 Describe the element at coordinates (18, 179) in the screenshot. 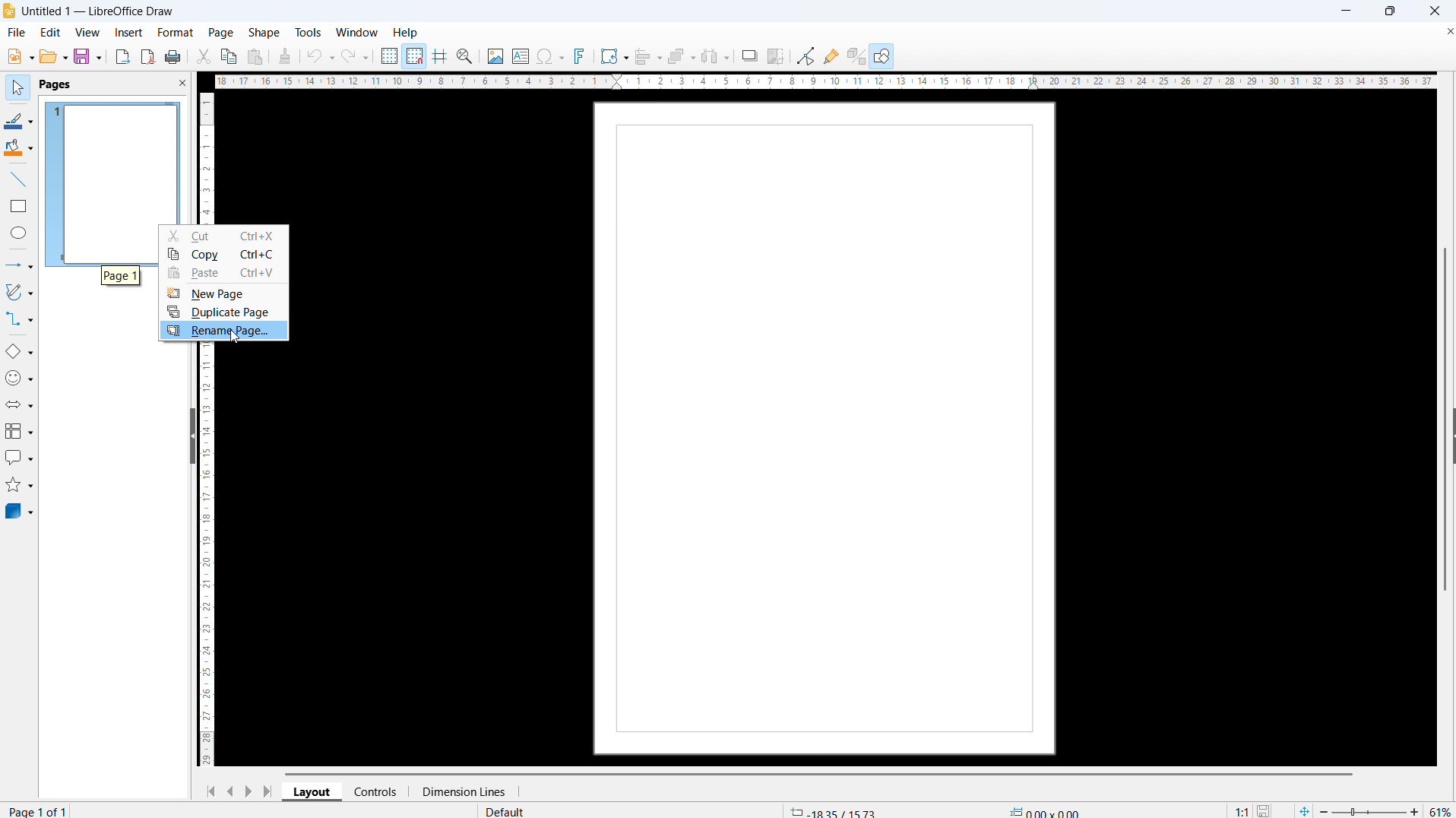

I see `line tool` at that location.